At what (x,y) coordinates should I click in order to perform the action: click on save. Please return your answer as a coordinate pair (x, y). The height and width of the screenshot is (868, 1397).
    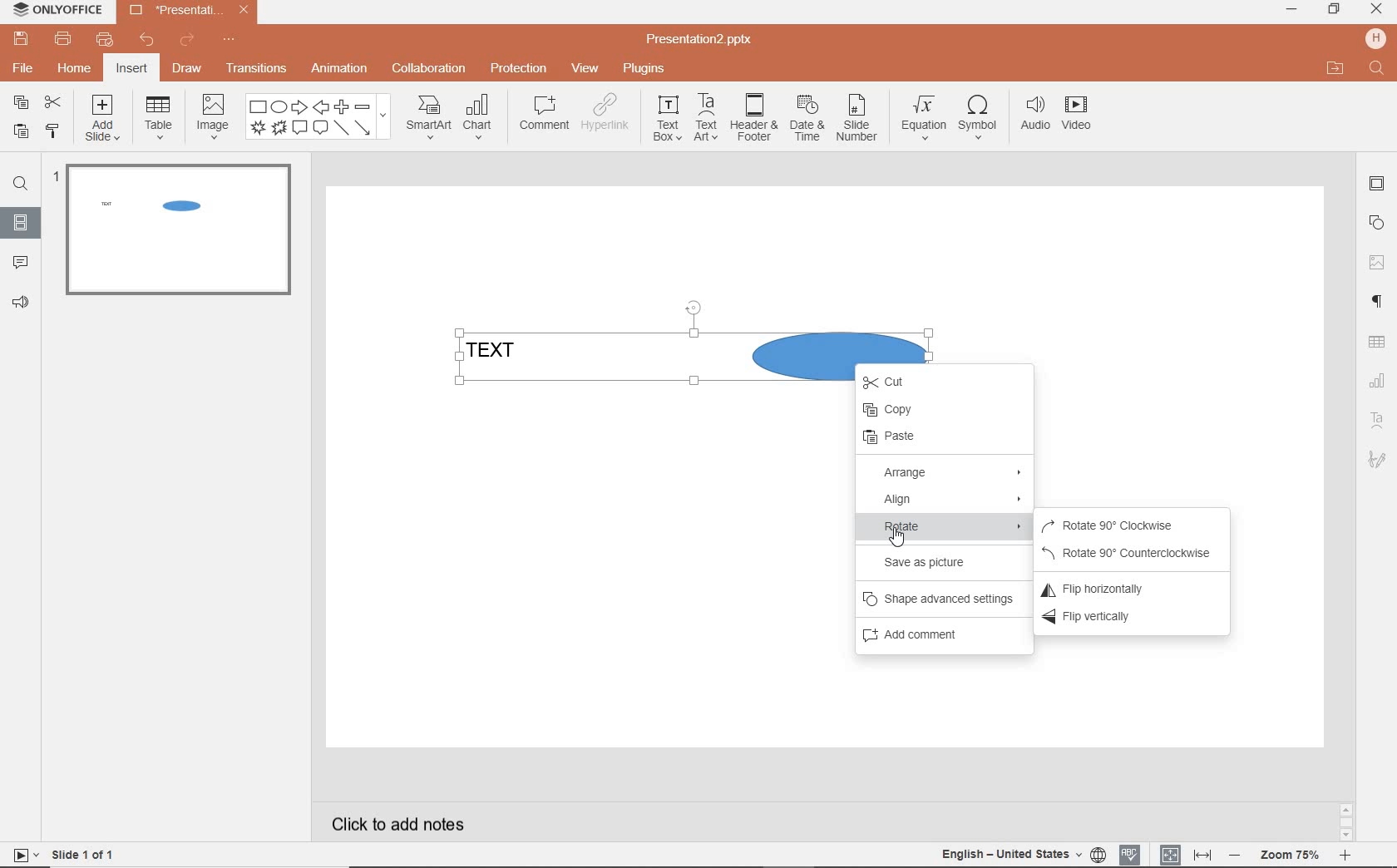
    Looking at the image, I should click on (18, 38).